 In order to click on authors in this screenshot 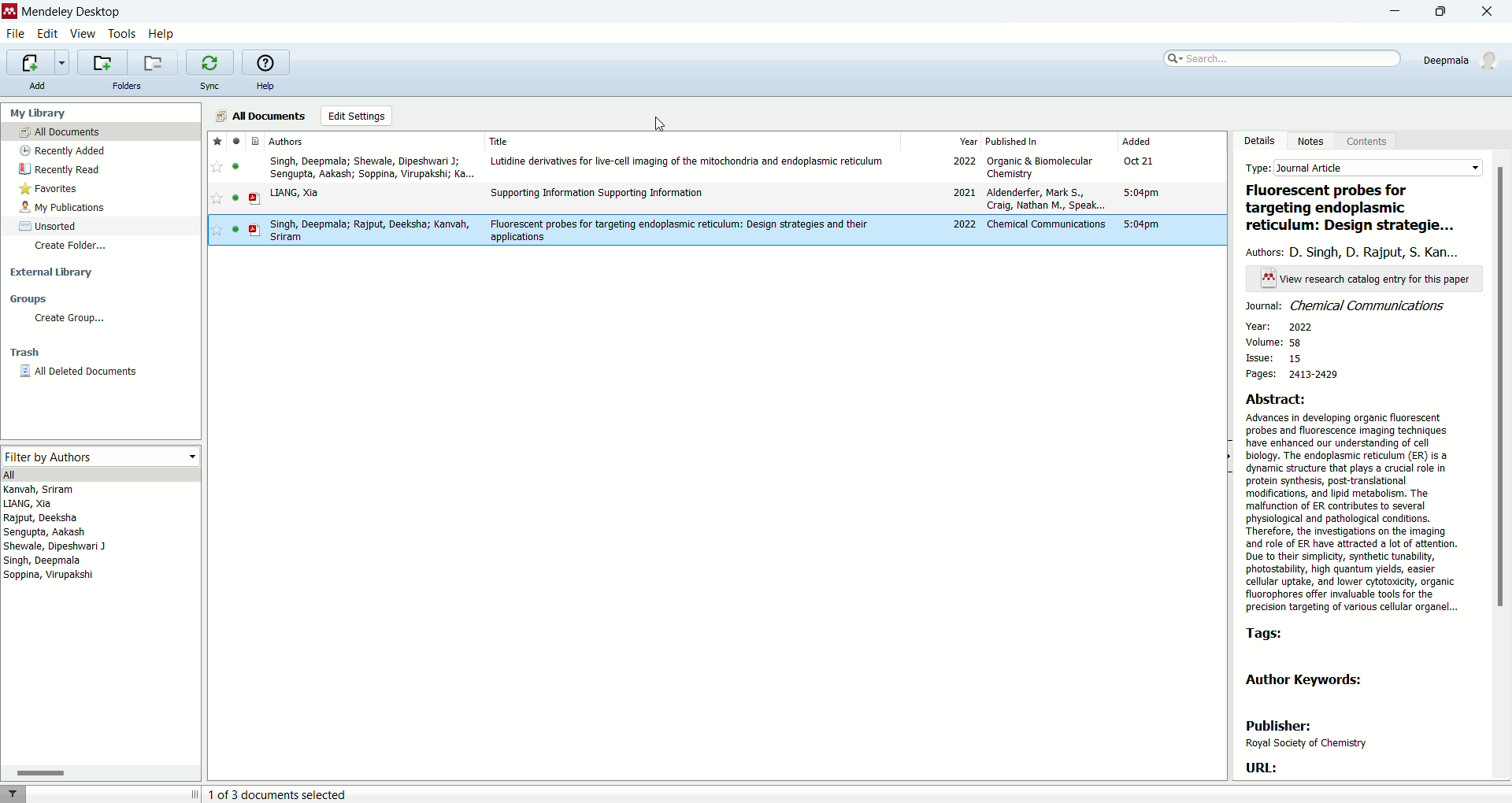, I will do `click(1358, 253)`.